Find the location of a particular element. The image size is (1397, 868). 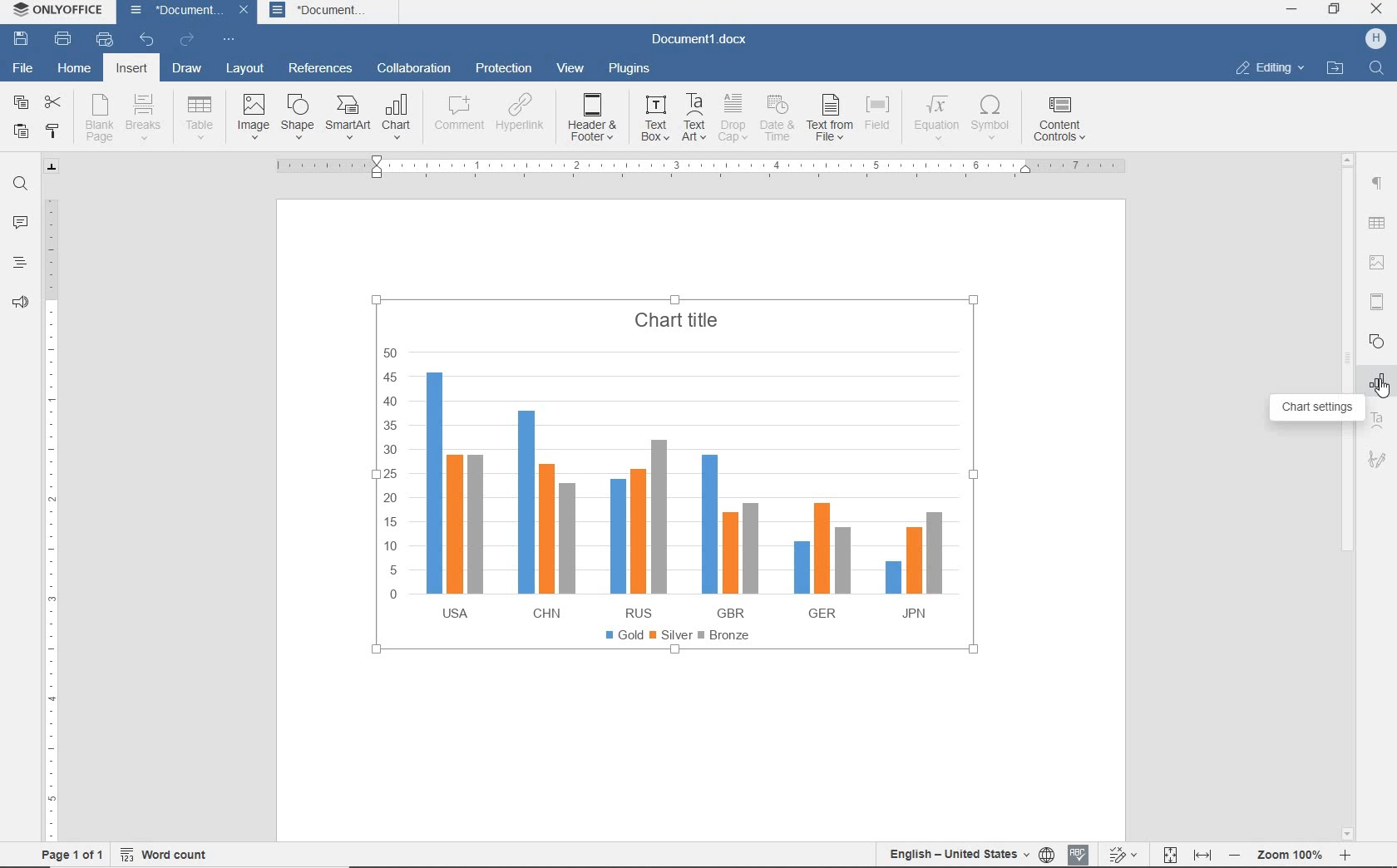

paste is located at coordinates (21, 133).